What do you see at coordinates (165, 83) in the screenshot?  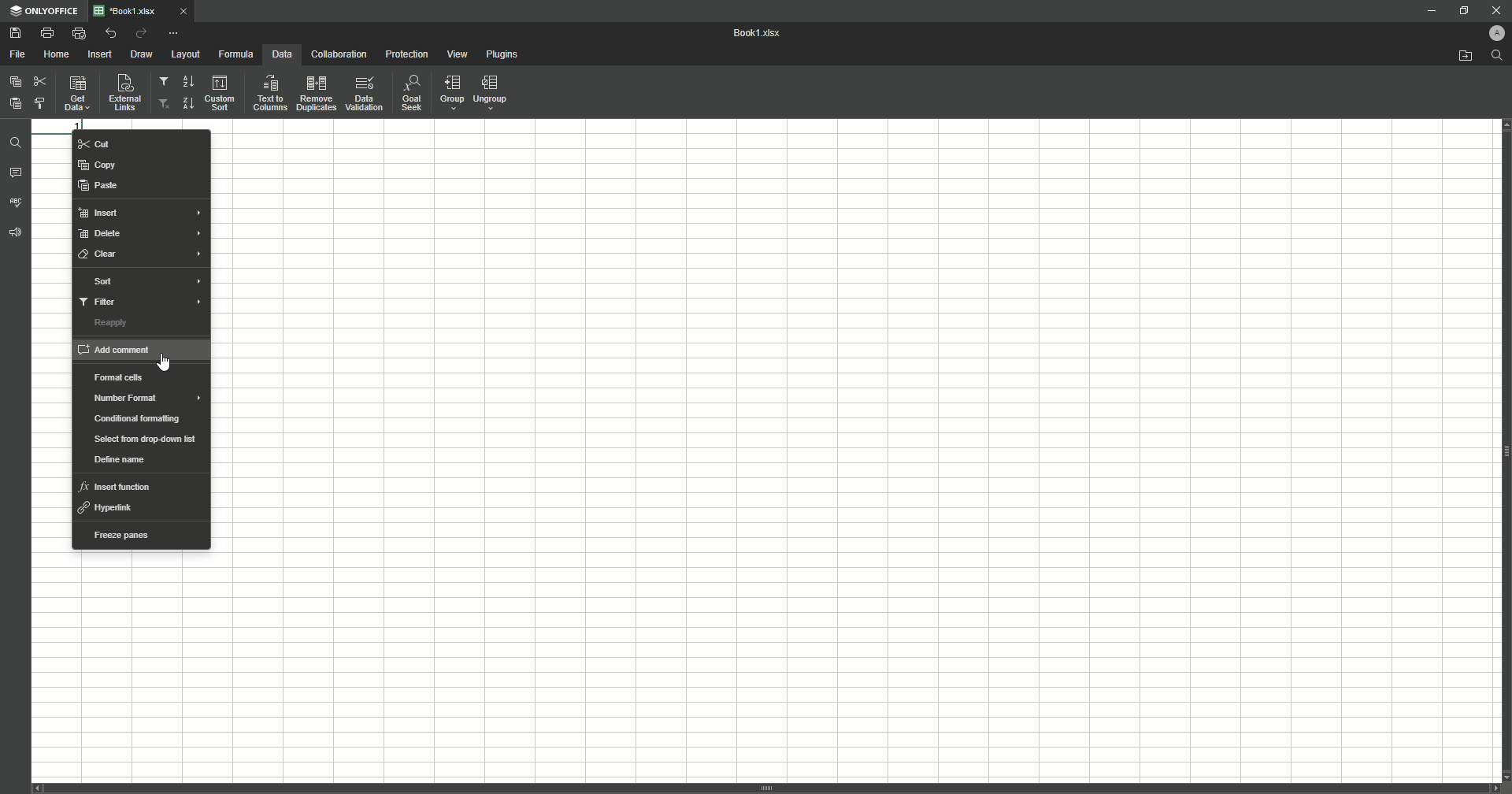 I see `Filter` at bounding box center [165, 83].